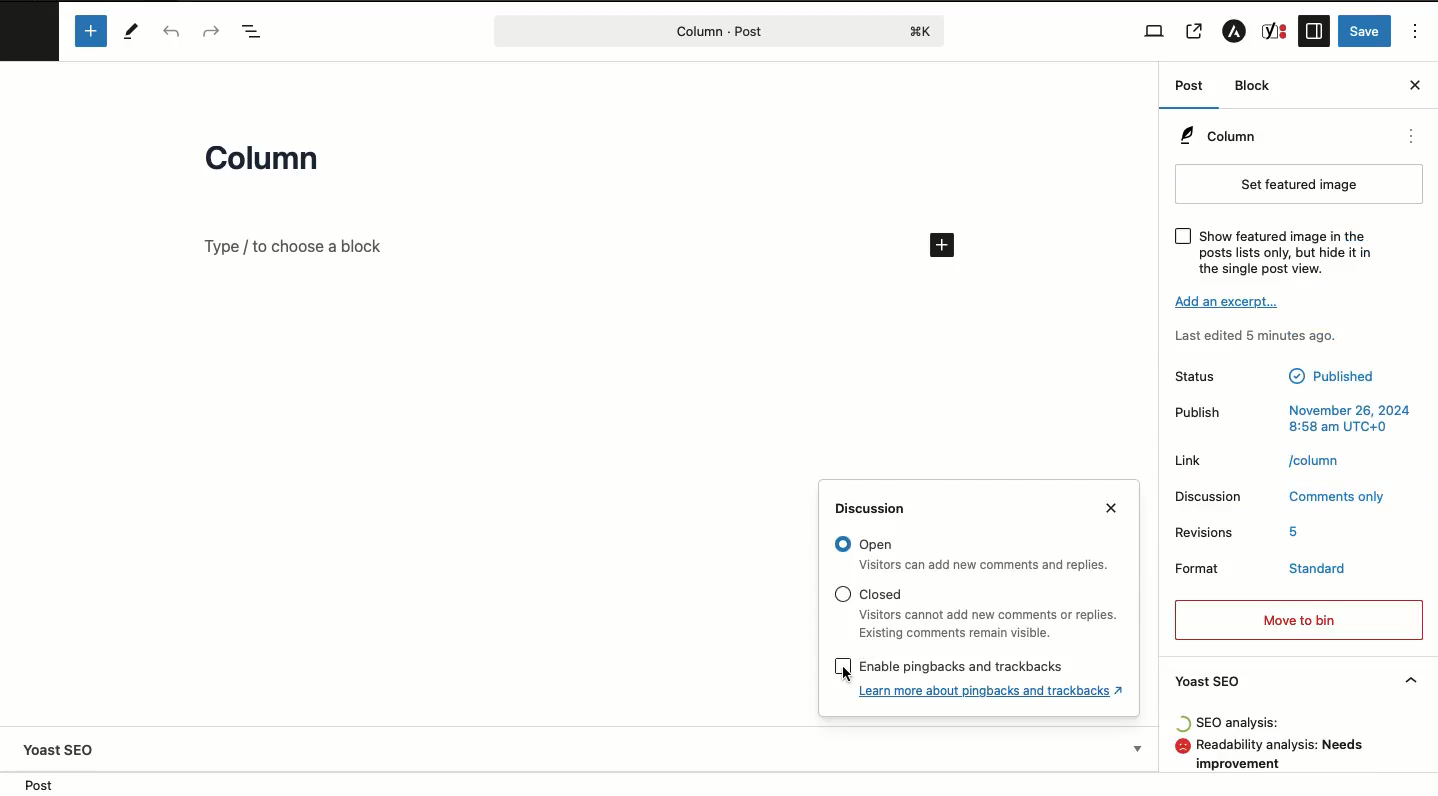 The width and height of the screenshot is (1438, 796). I want to click on loading, so click(1182, 723).